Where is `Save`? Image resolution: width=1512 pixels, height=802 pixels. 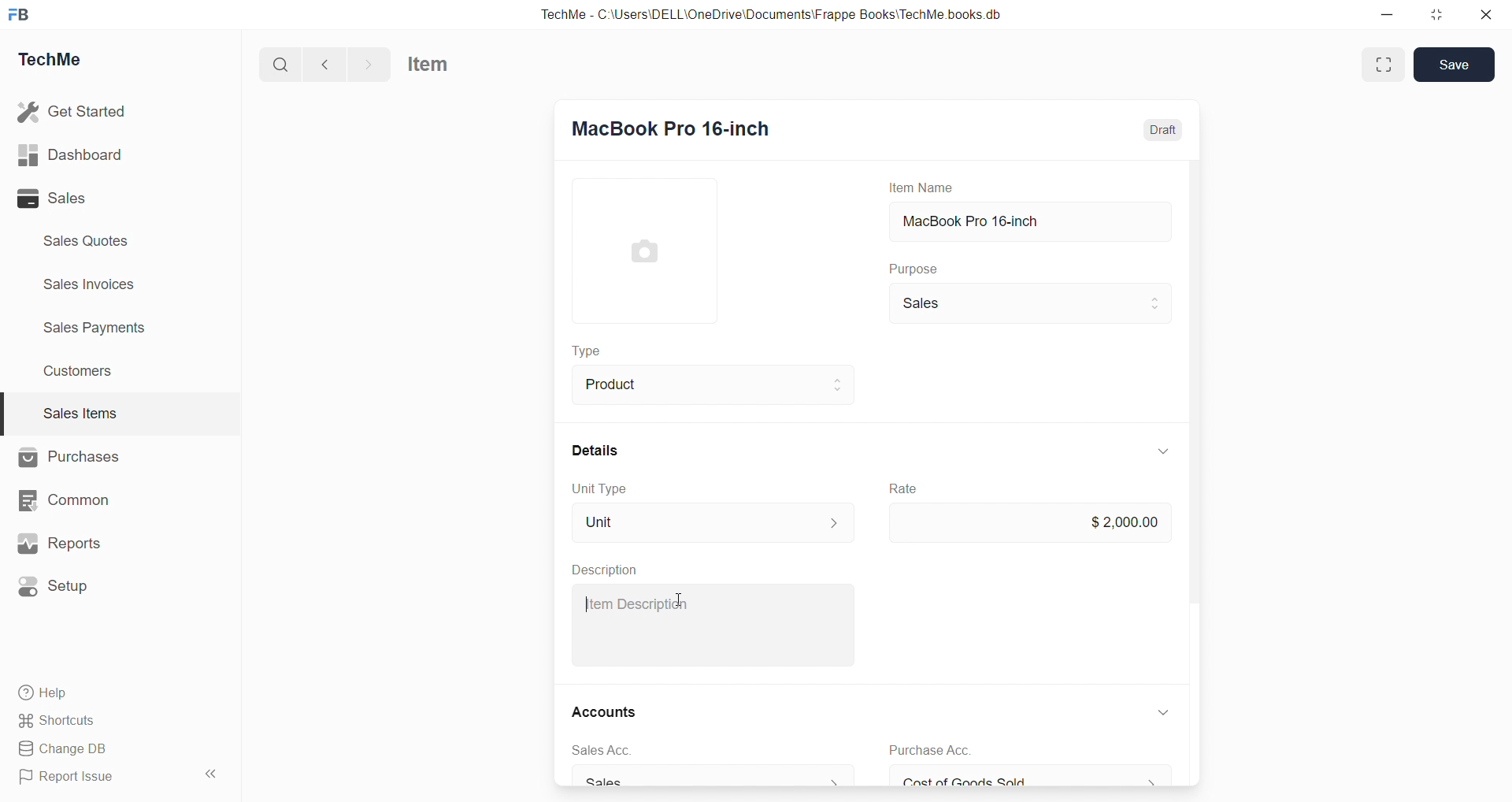
Save is located at coordinates (1458, 65).